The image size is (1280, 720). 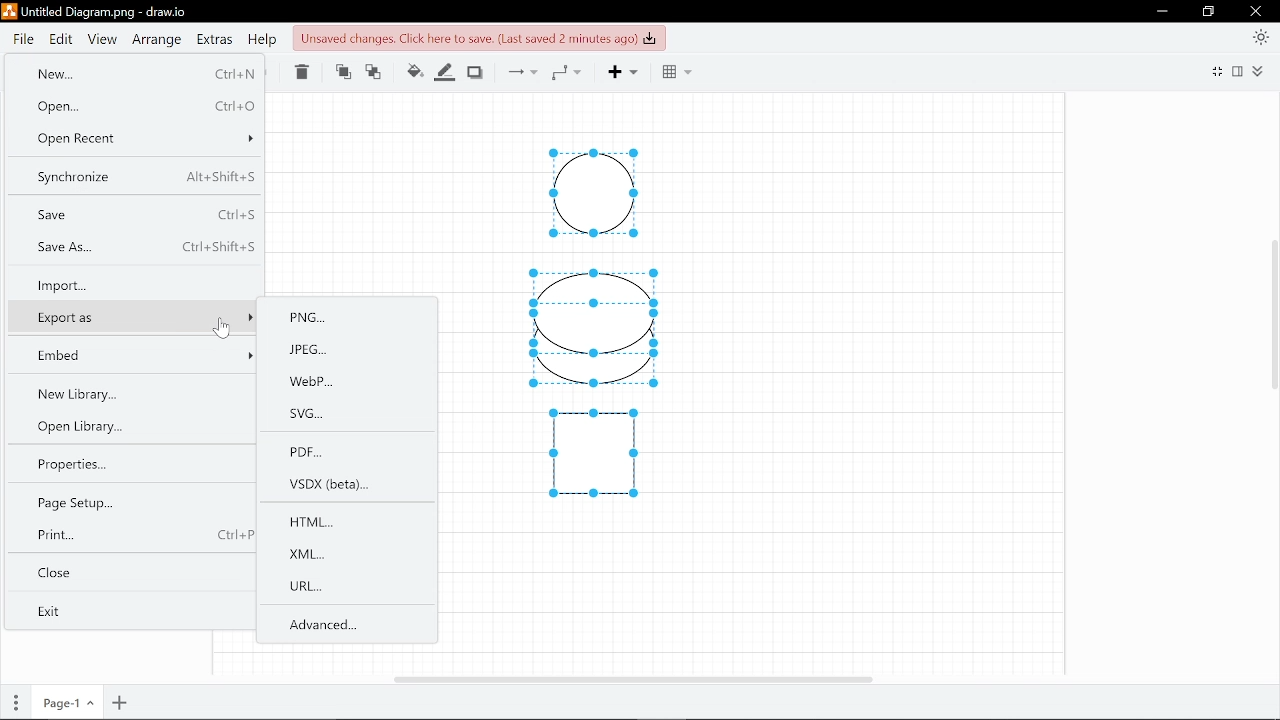 I want to click on Current page, so click(x=66, y=703).